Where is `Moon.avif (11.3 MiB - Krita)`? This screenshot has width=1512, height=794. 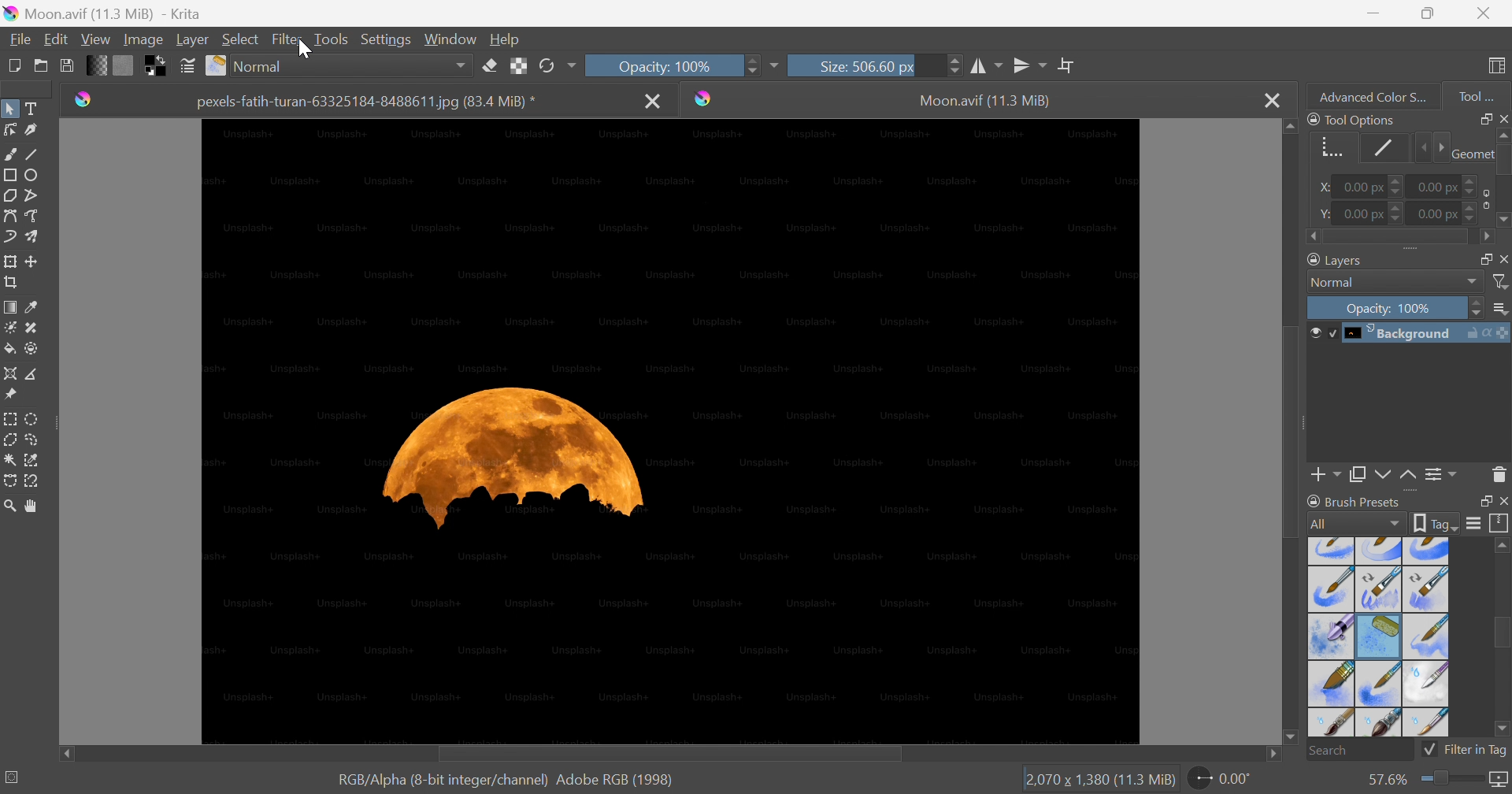 Moon.avif (11.3 MiB - Krita) is located at coordinates (101, 12).